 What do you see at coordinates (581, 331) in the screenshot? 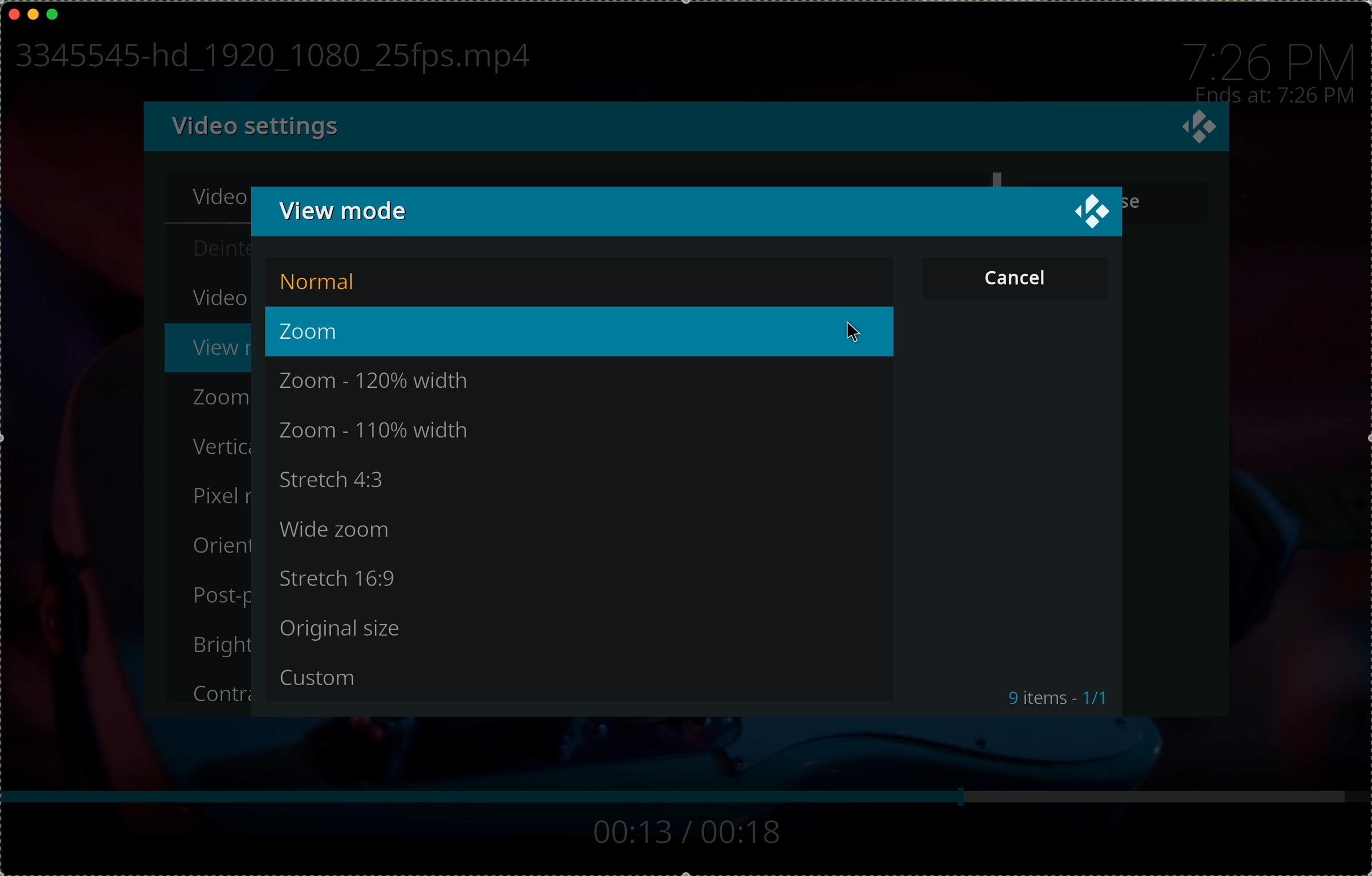
I see `click on zoom` at bounding box center [581, 331].